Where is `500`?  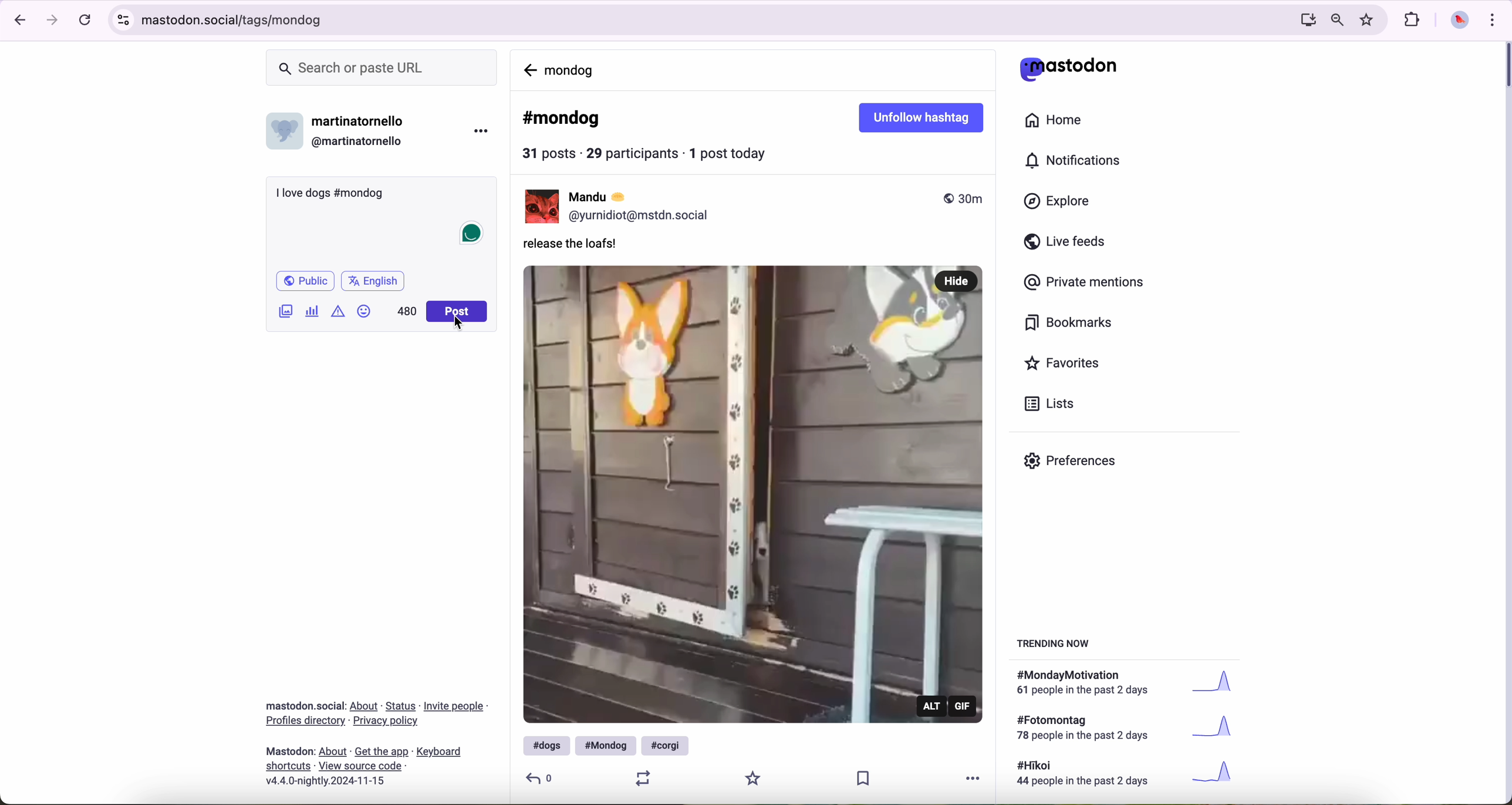
500 is located at coordinates (406, 311).